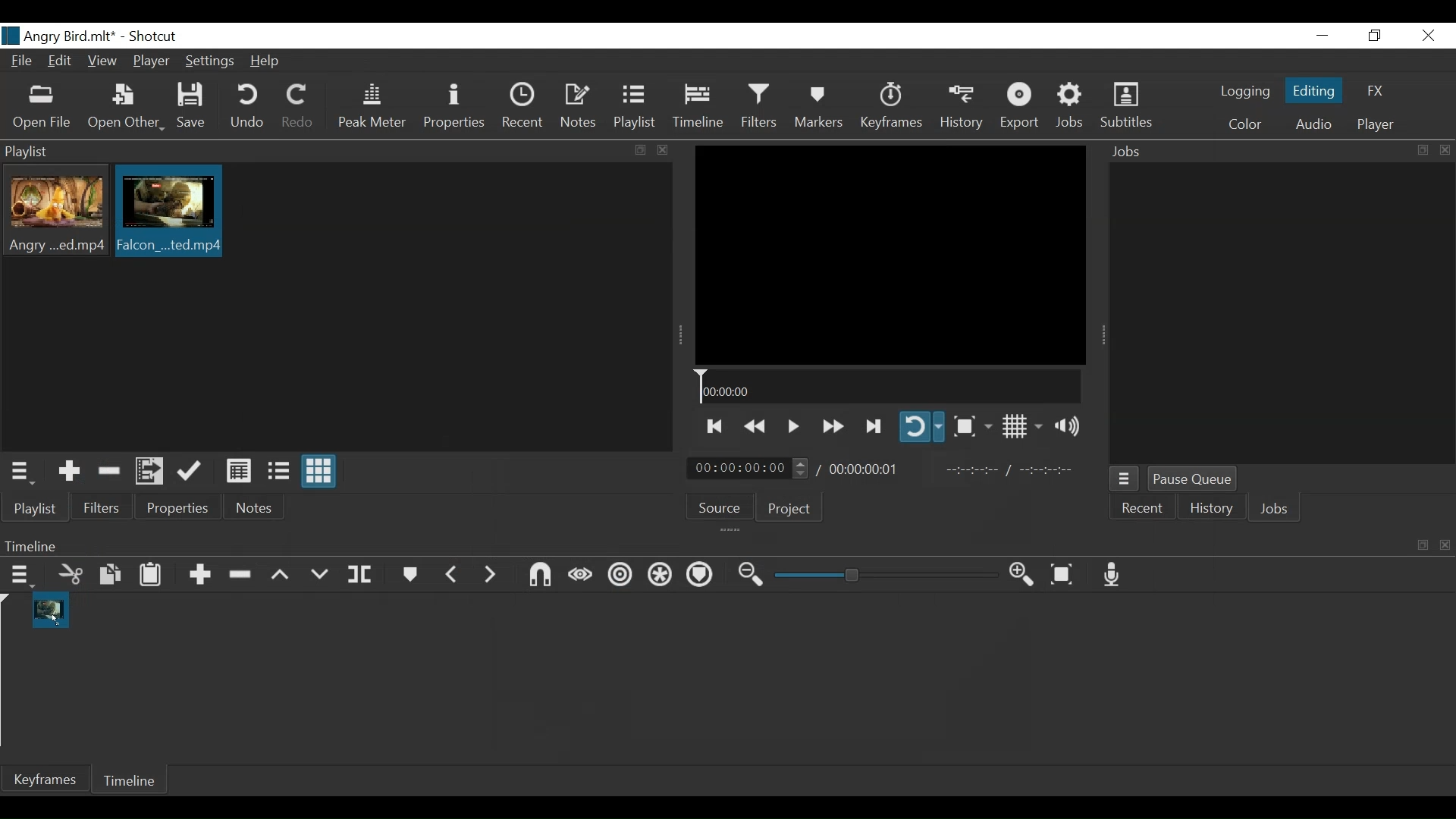 Image resolution: width=1456 pixels, height=819 pixels. Describe the element at coordinates (1025, 426) in the screenshot. I see `Toggle display grid on player` at that location.